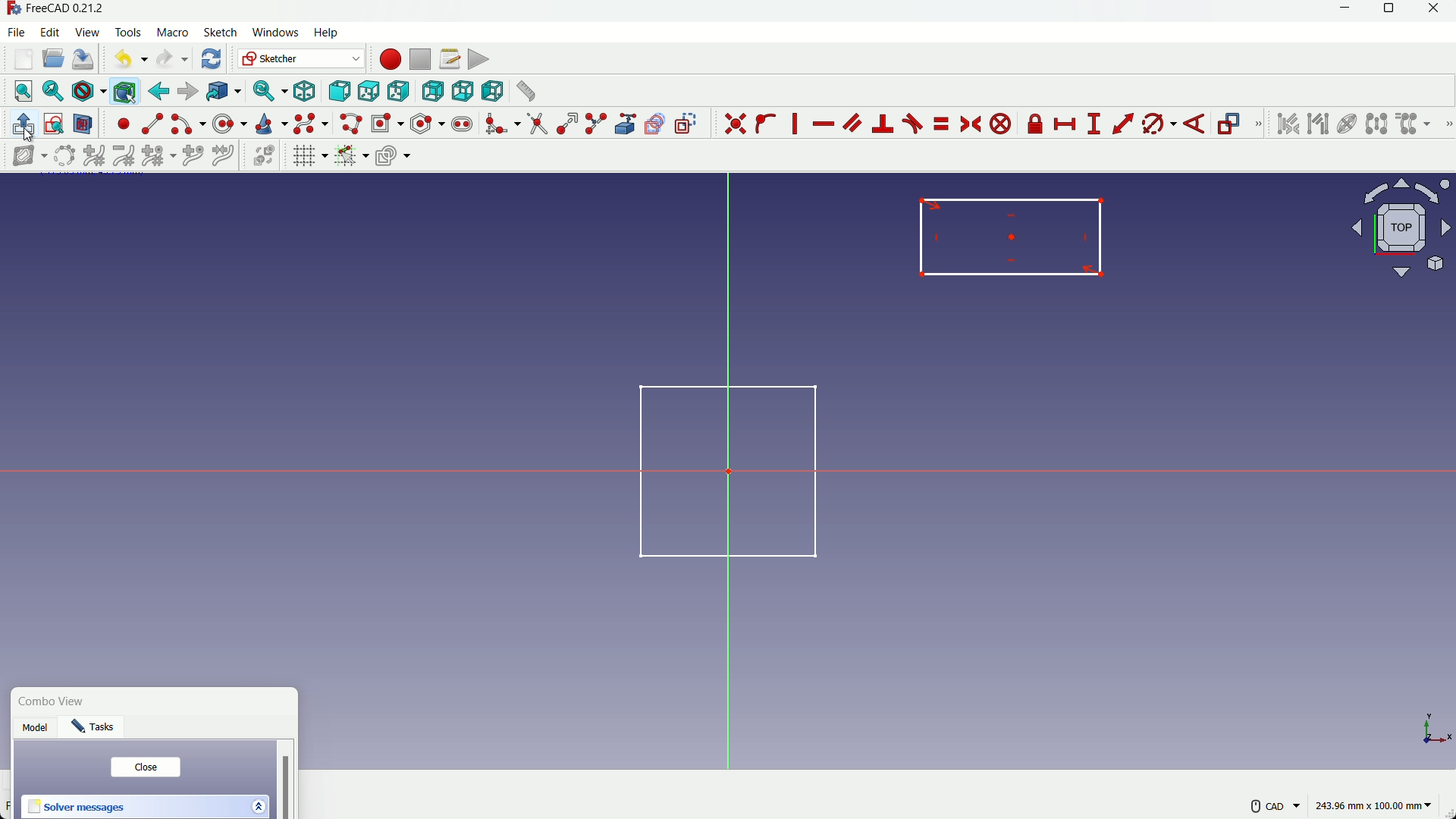 This screenshot has width=1456, height=819. What do you see at coordinates (735, 124) in the screenshot?
I see `constraint coincident` at bounding box center [735, 124].